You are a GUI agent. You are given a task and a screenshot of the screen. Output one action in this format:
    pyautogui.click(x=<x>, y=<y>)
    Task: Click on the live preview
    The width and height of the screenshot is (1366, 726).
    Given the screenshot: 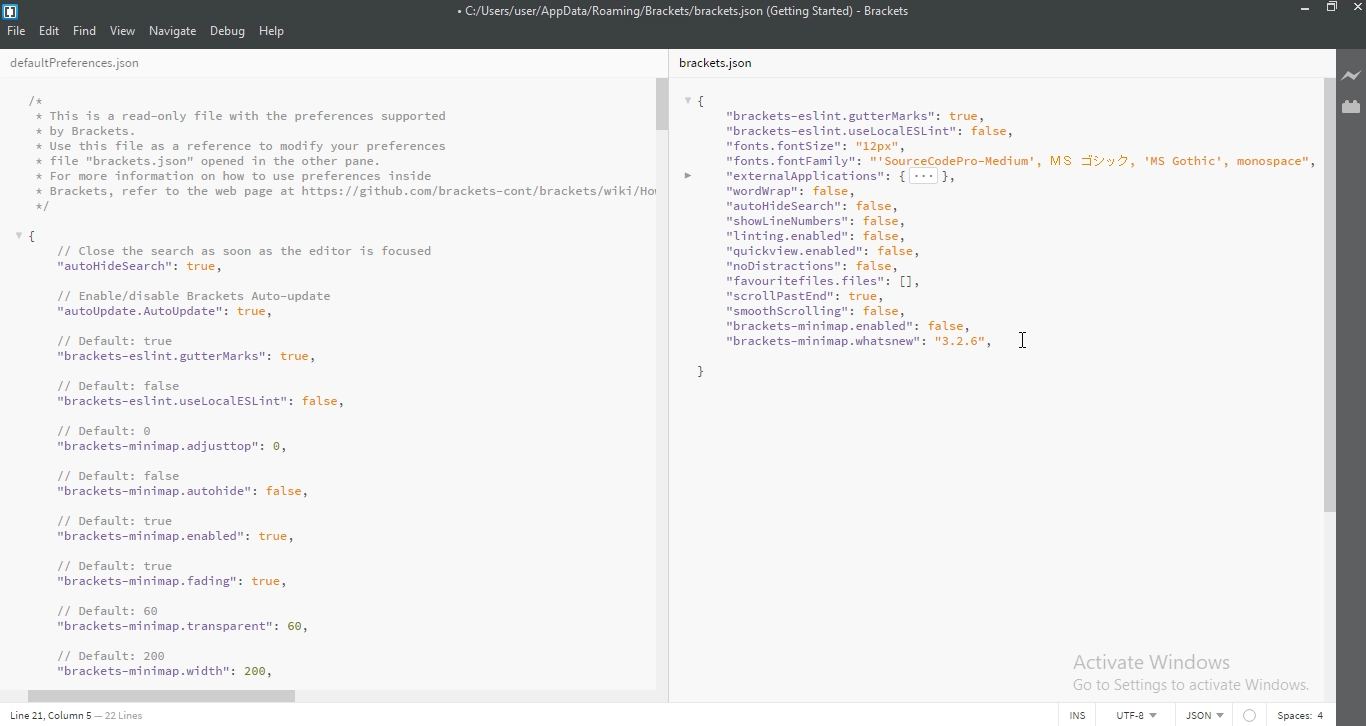 What is the action you would take?
    pyautogui.click(x=1352, y=79)
    